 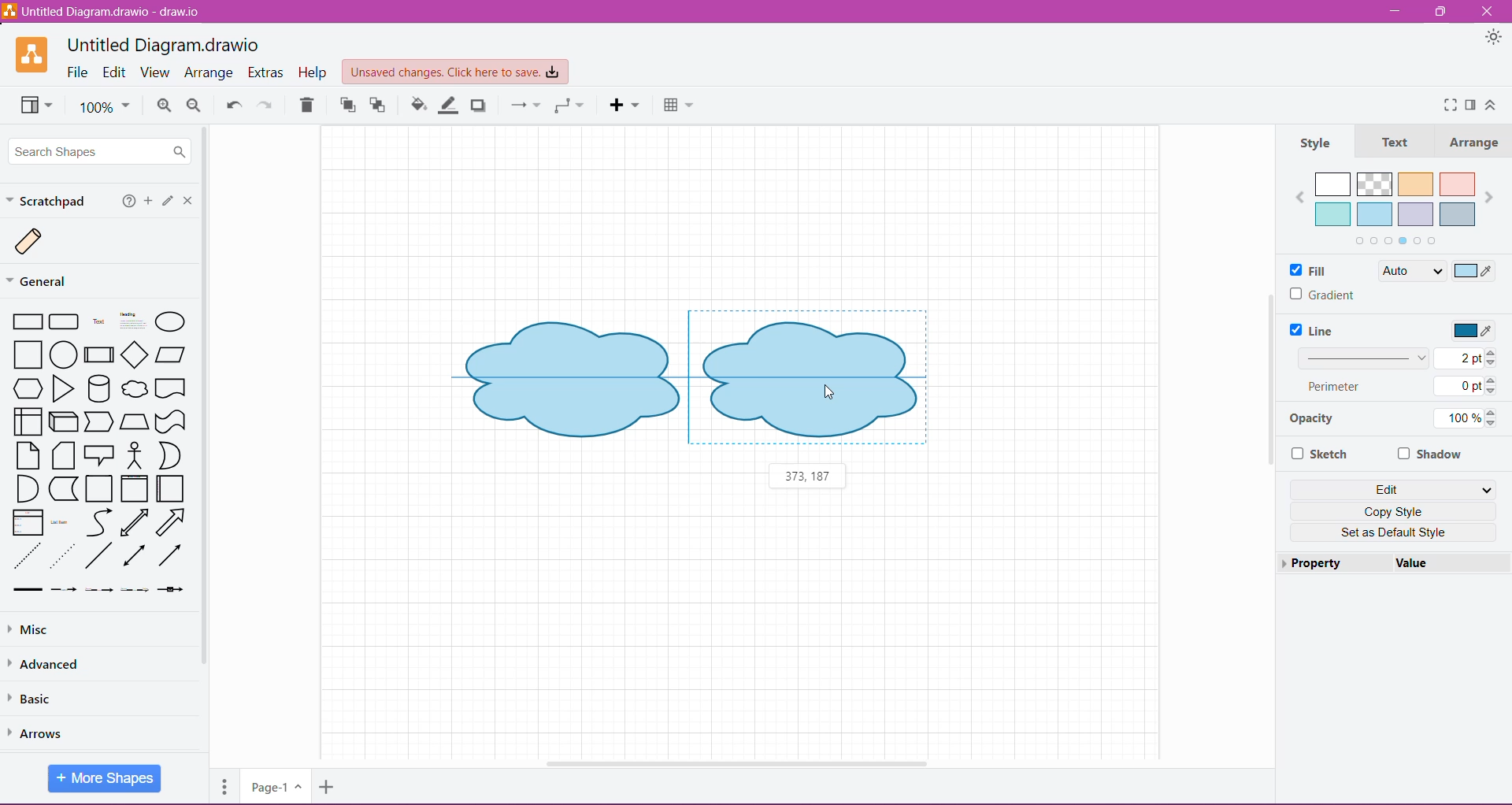 What do you see at coordinates (1477, 143) in the screenshot?
I see `Arrange` at bounding box center [1477, 143].